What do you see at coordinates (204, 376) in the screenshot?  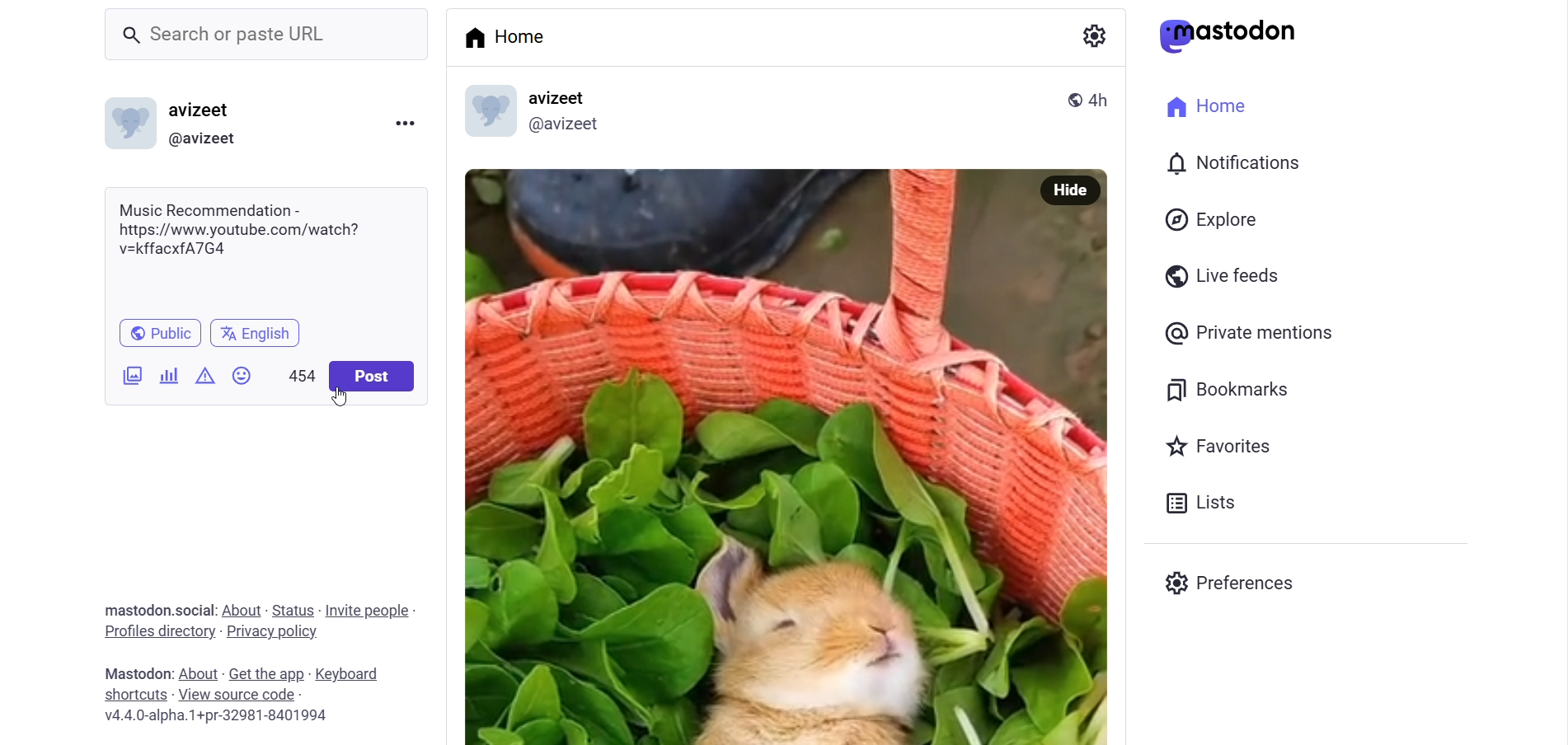 I see `Content Warning` at bounding box center [204, 376].